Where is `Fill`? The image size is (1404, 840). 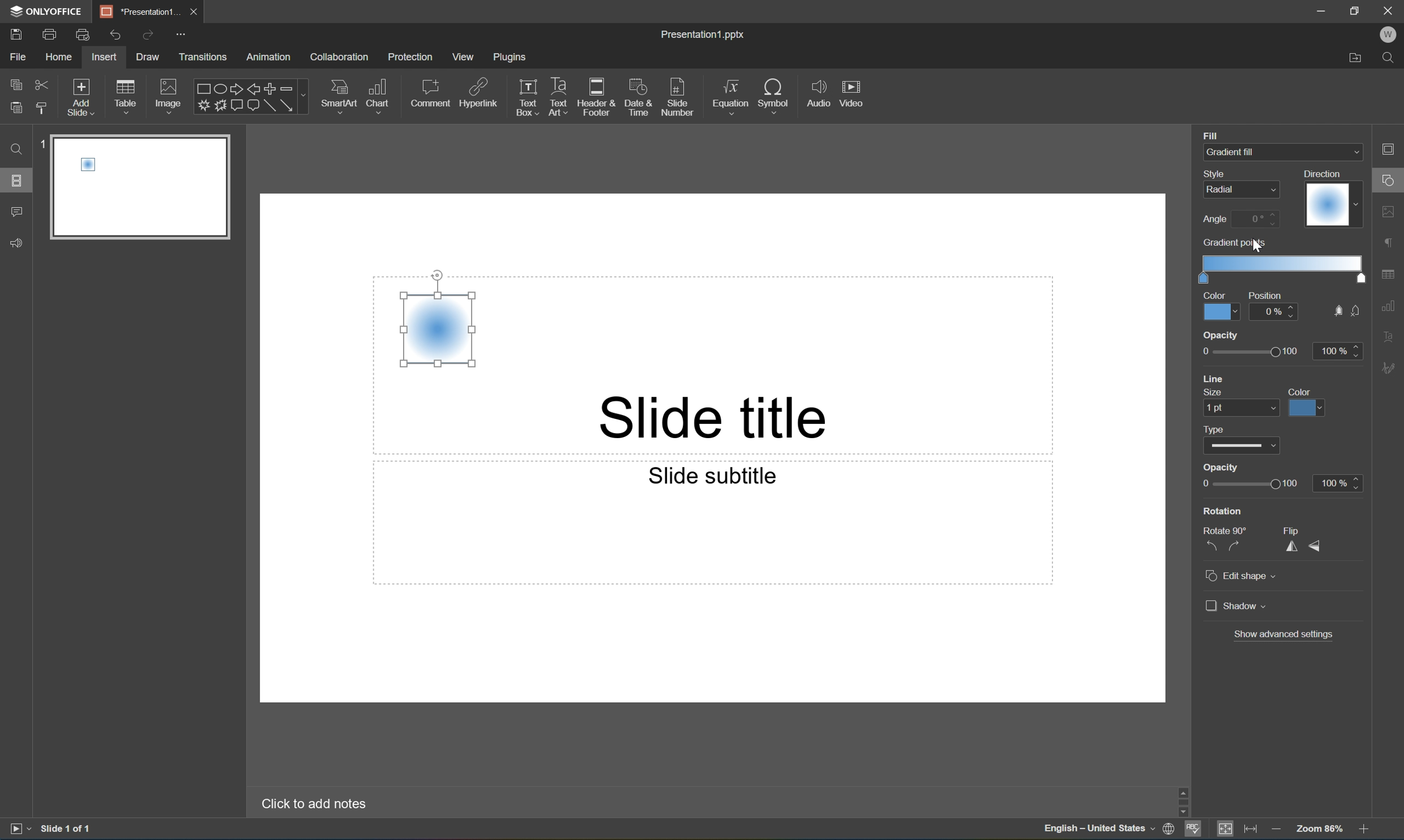
Fill is located at coordinates (1210, 135).